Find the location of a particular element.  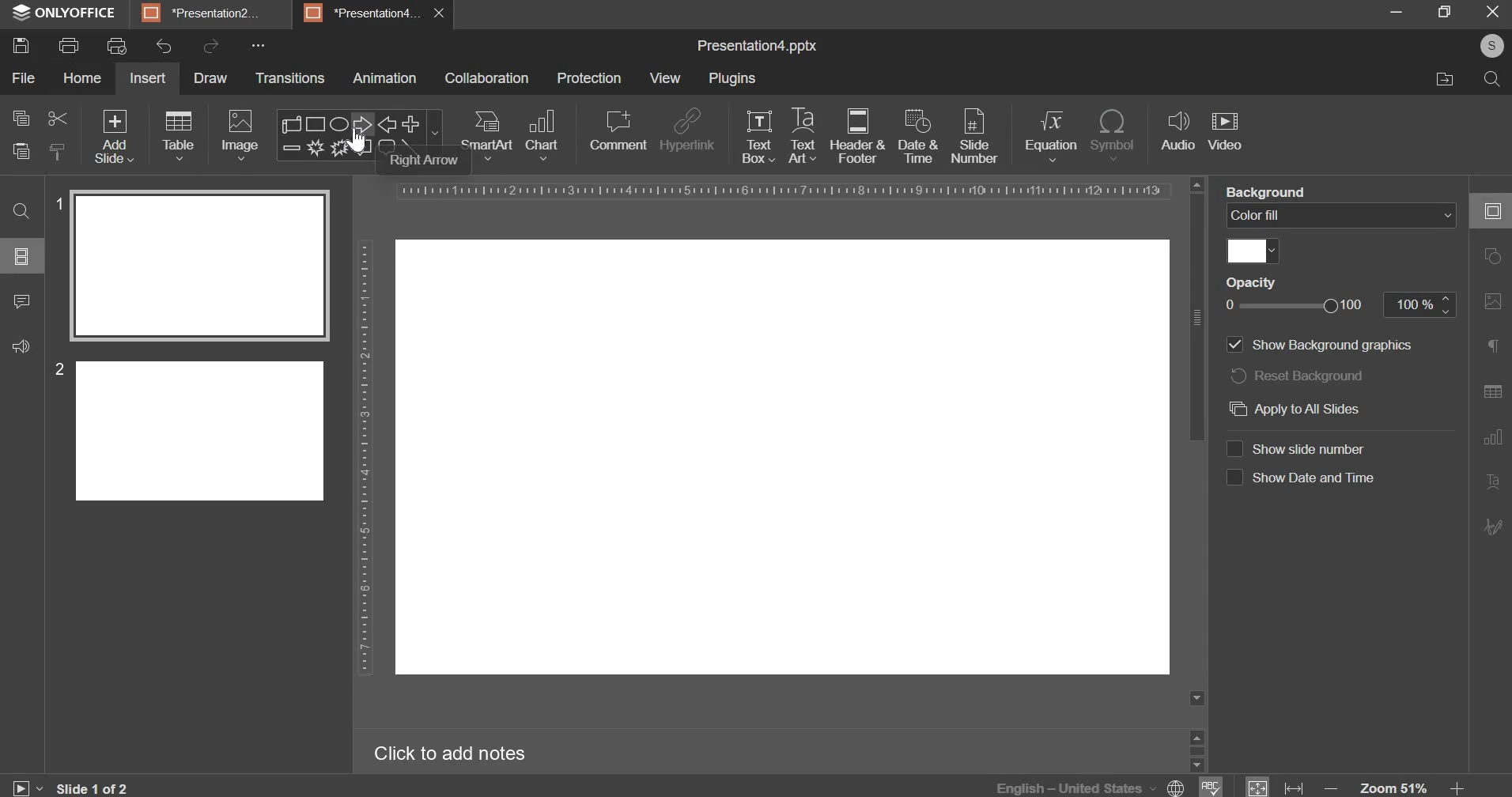

zoom is located at coordinates (1397, 784).